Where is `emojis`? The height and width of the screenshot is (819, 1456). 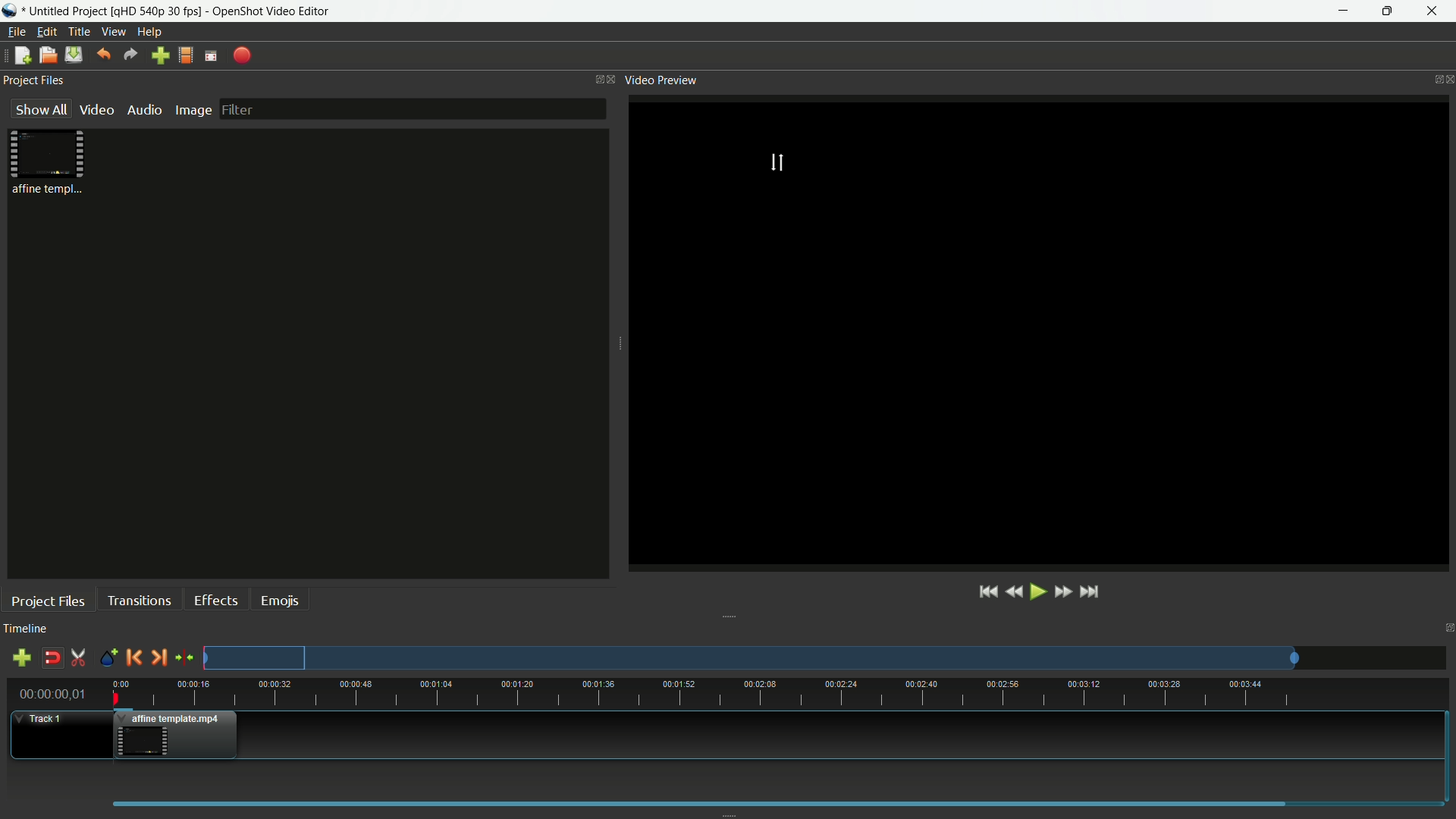 emojis is located at coordinates (281, 601).